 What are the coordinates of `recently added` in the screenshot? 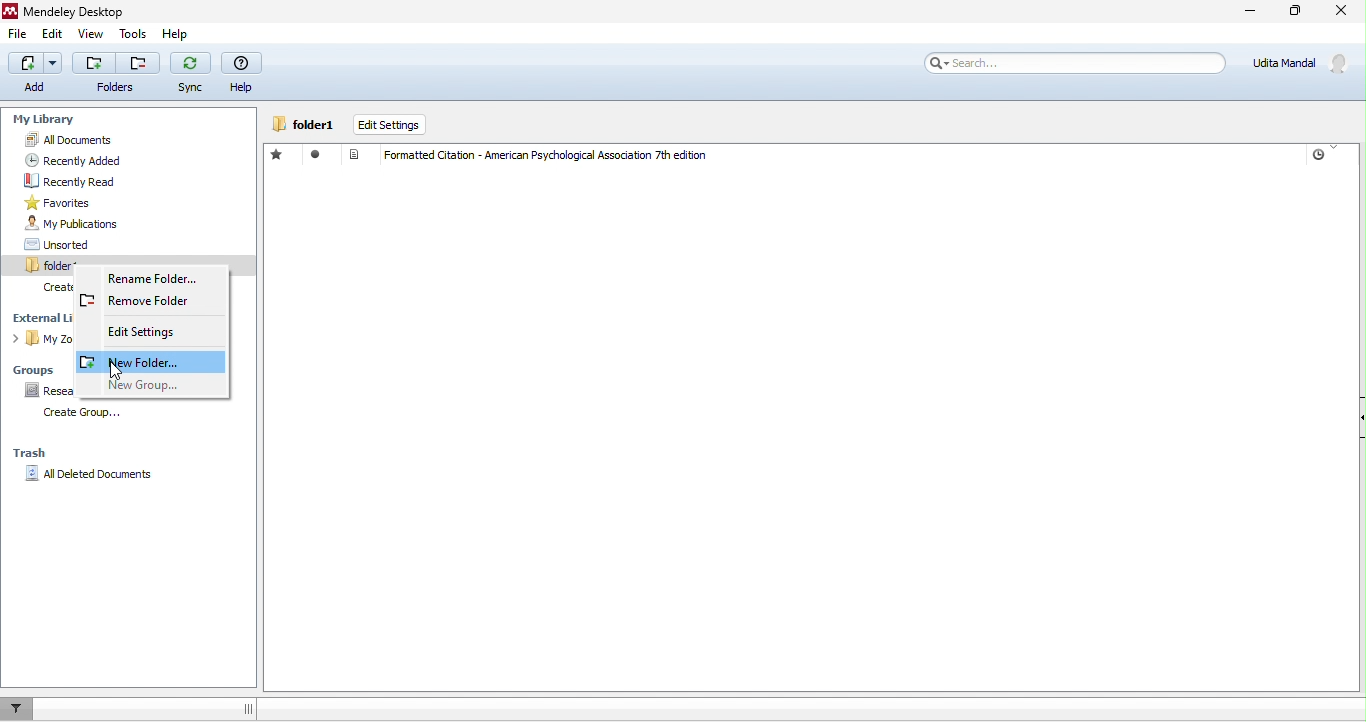 It's located at (77, 160).